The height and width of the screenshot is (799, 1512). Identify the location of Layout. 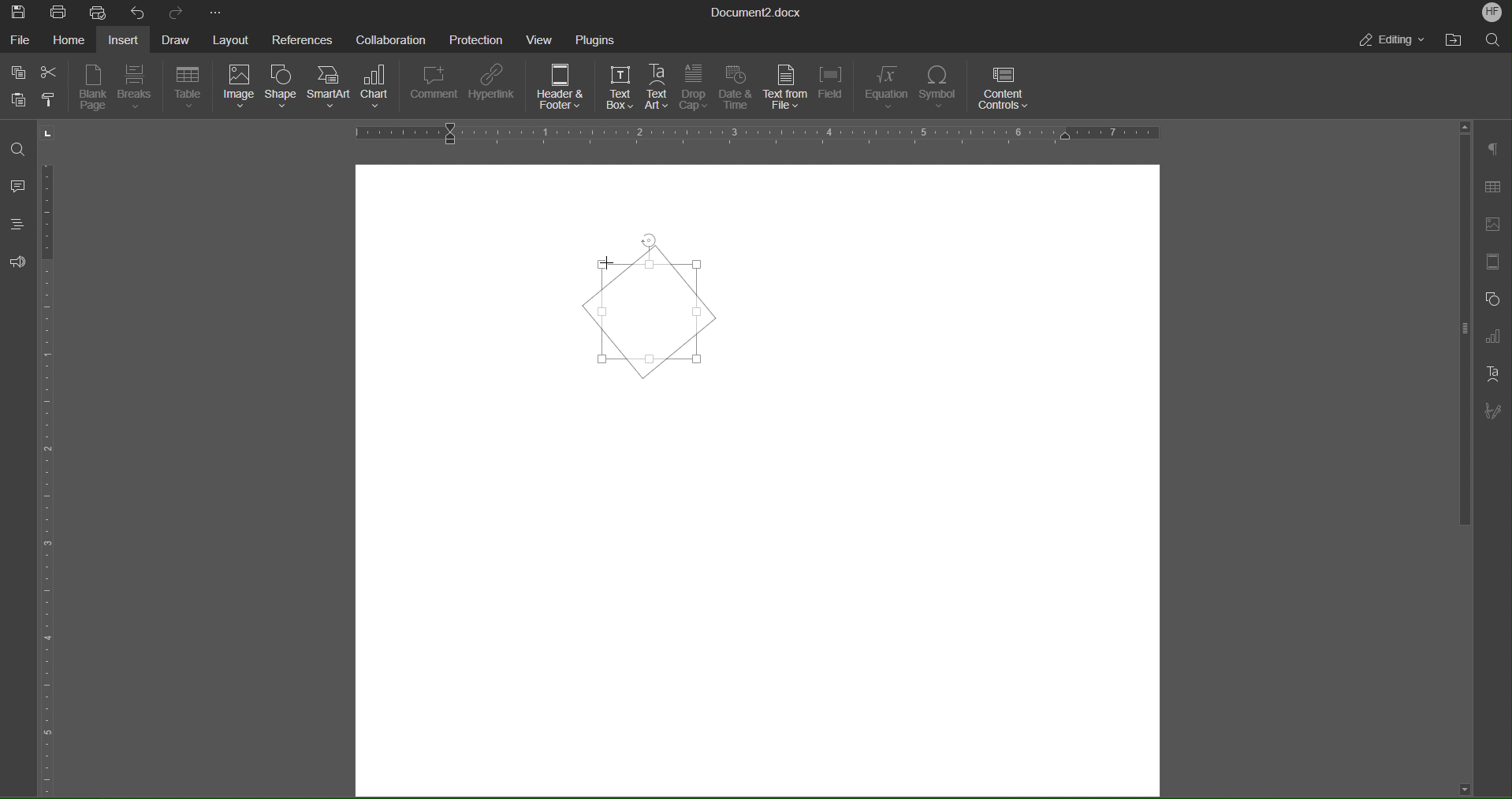
(229, 39).